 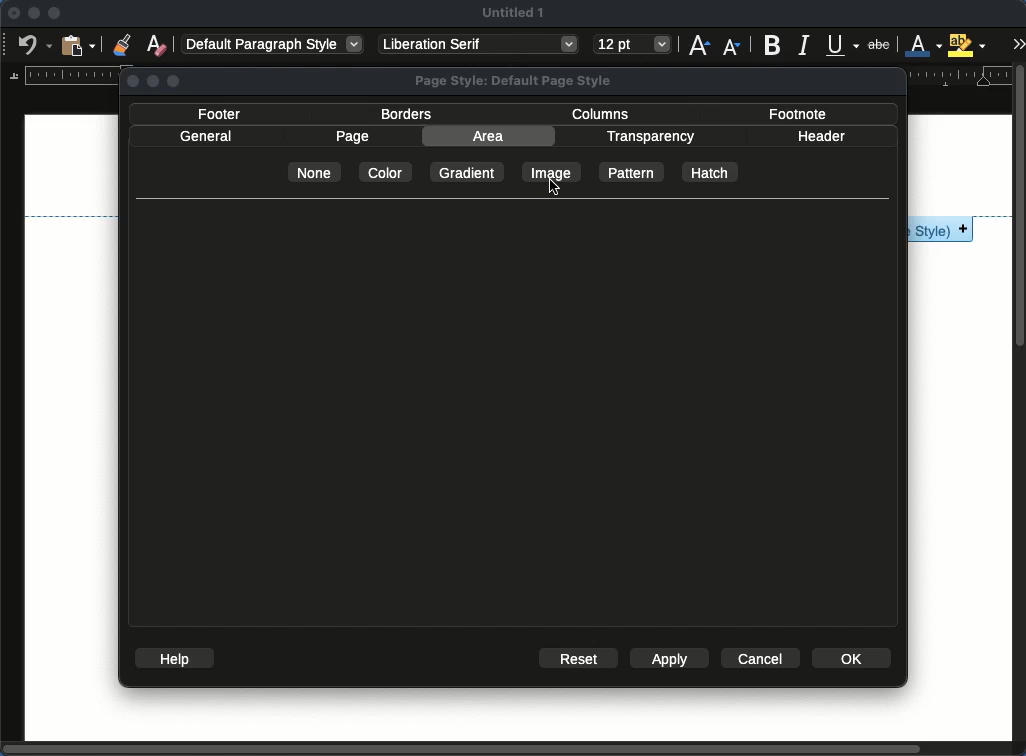 What do you see at coordinates (1018, 45) in the screenshot?
I see `expand` at bounding box center [1018, 45].